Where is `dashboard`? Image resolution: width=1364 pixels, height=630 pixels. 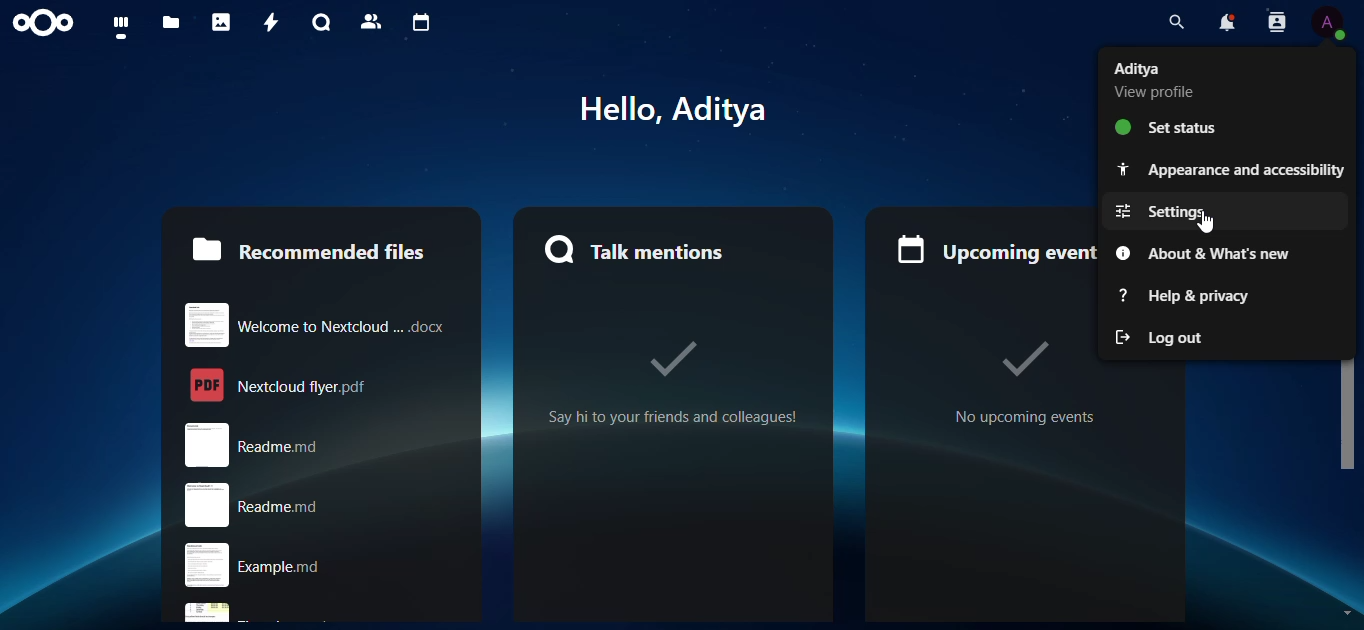
dashboard is located at coordinates (123, 27).